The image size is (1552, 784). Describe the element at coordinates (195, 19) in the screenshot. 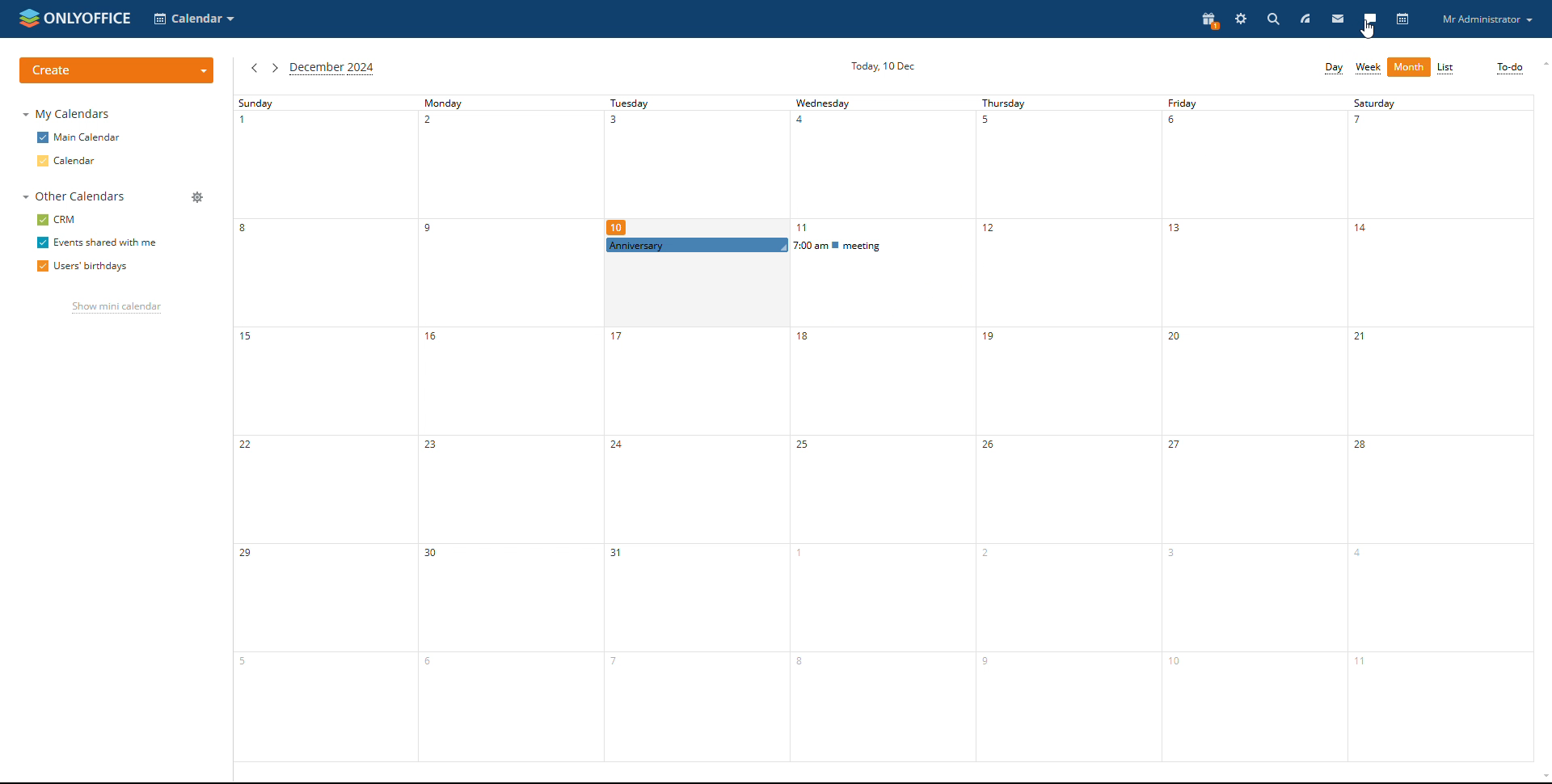

I see `select application` at that location.